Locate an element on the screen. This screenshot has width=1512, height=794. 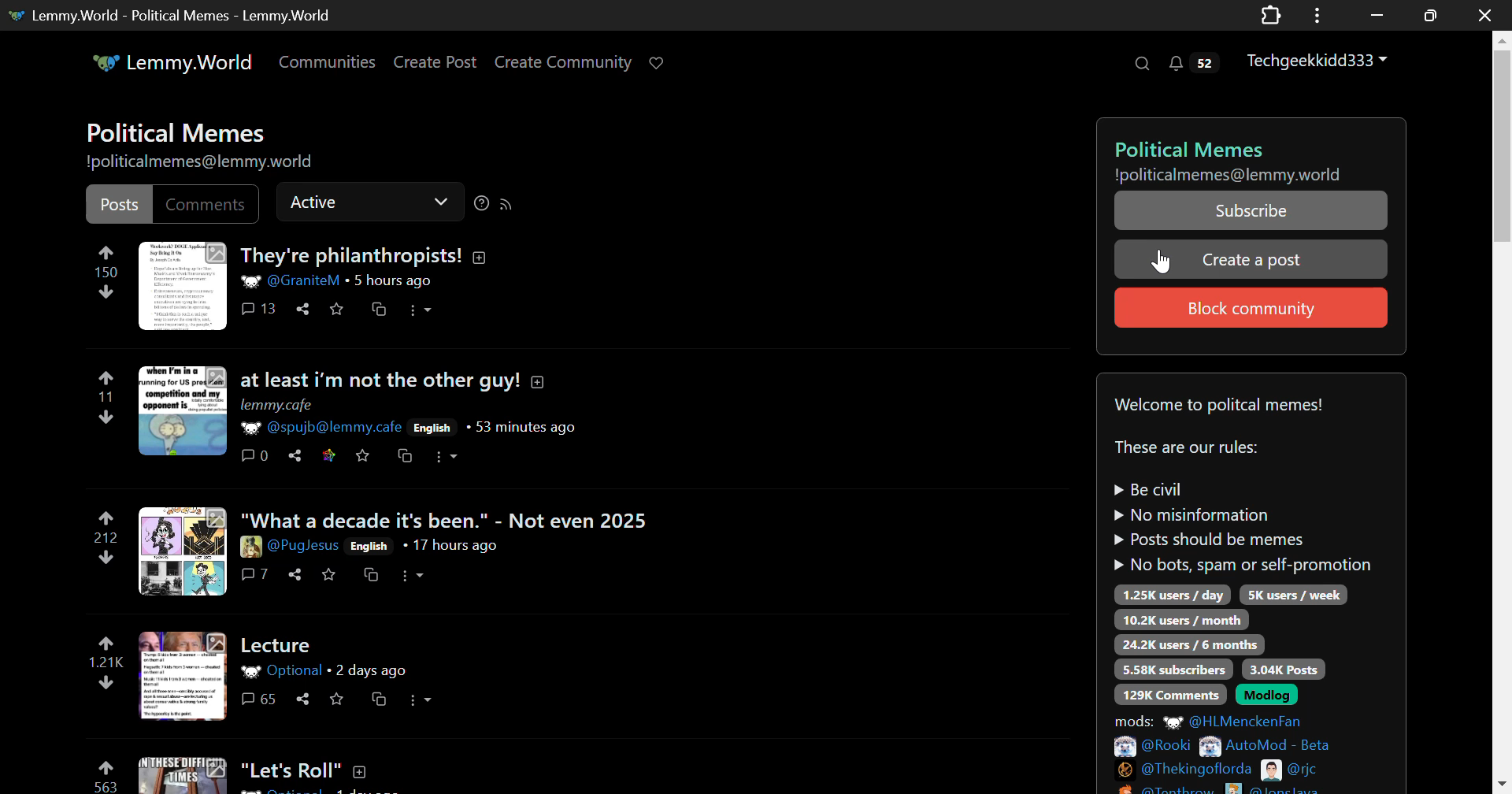
@spujb@lemmy.cafe is located at coordinates (321, 426).